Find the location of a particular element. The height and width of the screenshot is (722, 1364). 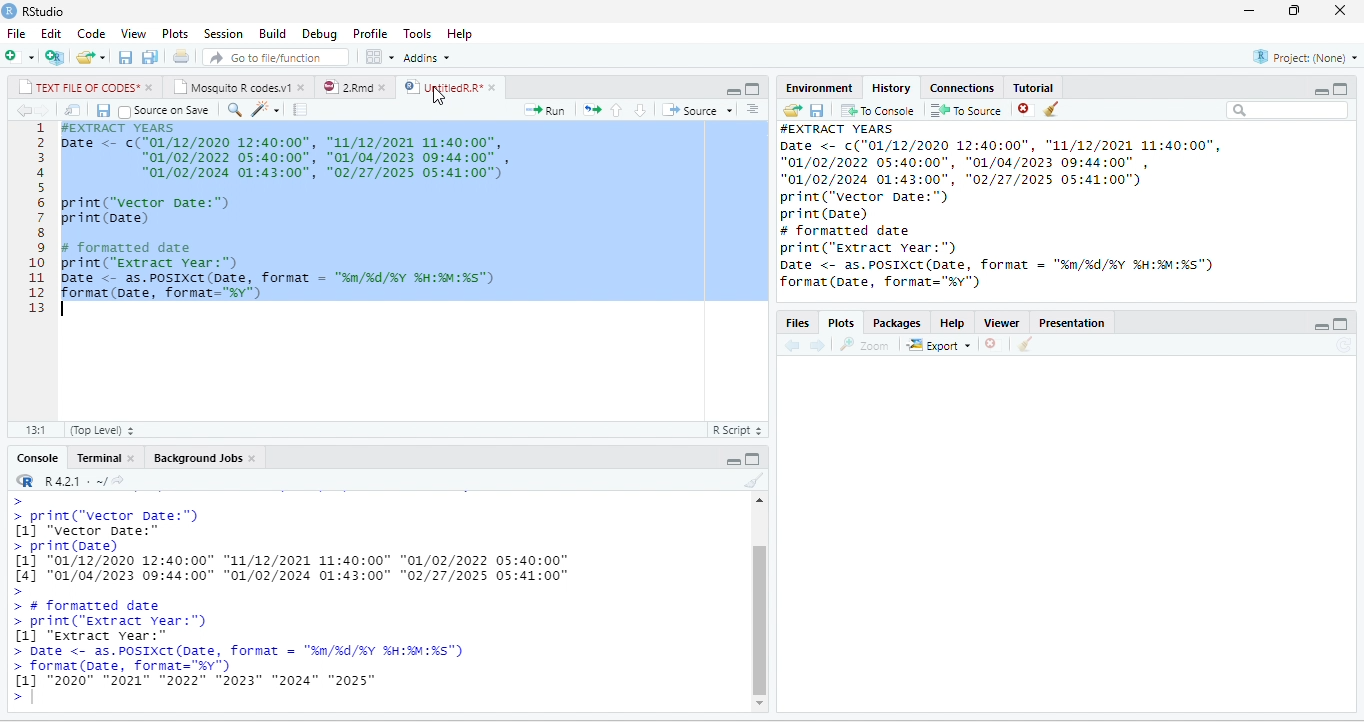

Console is located at coordinates (37, 458).